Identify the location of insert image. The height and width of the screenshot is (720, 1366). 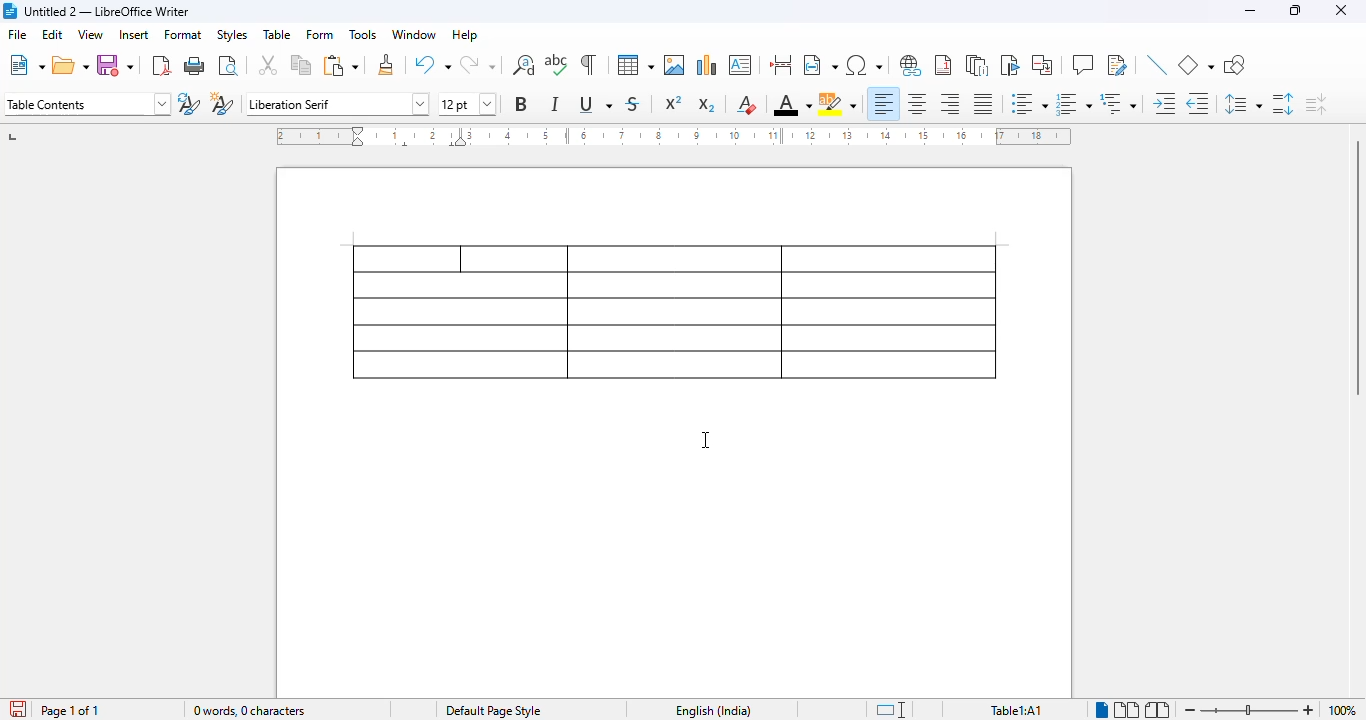
(674, 65).